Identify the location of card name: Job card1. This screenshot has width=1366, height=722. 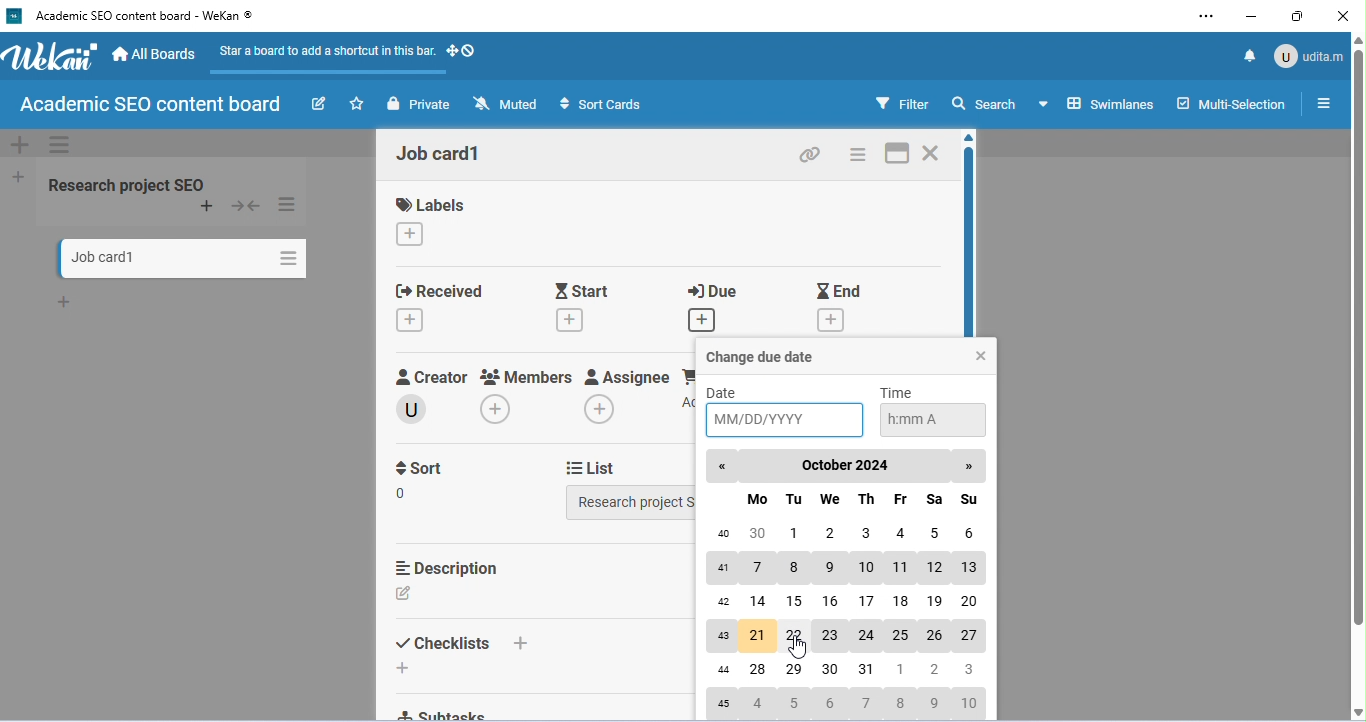
(103, 258).